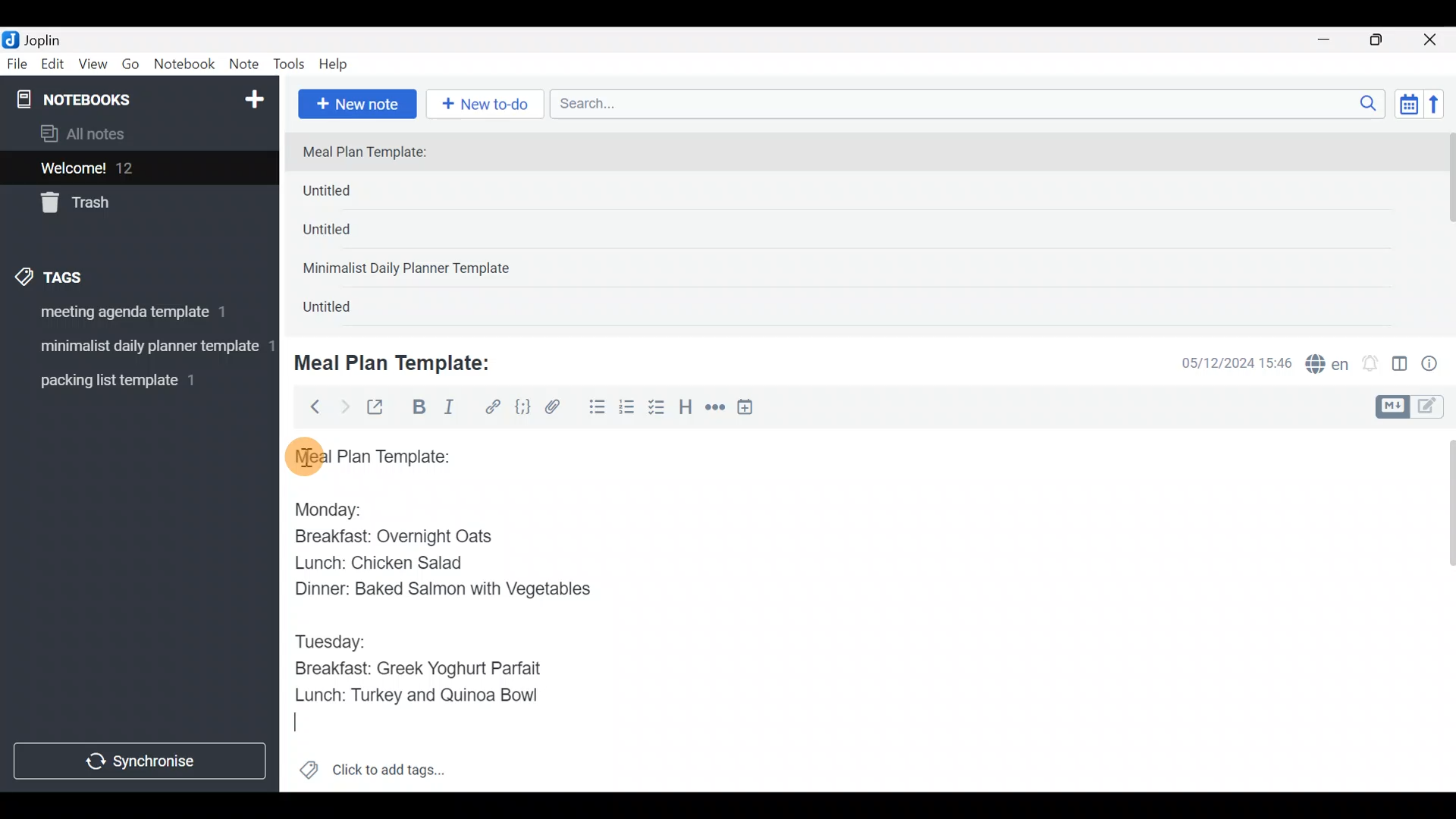  What do you see at coordinates (488, 105) in the screenshot?
I see `New to-do` at bounding box center [488, 105].